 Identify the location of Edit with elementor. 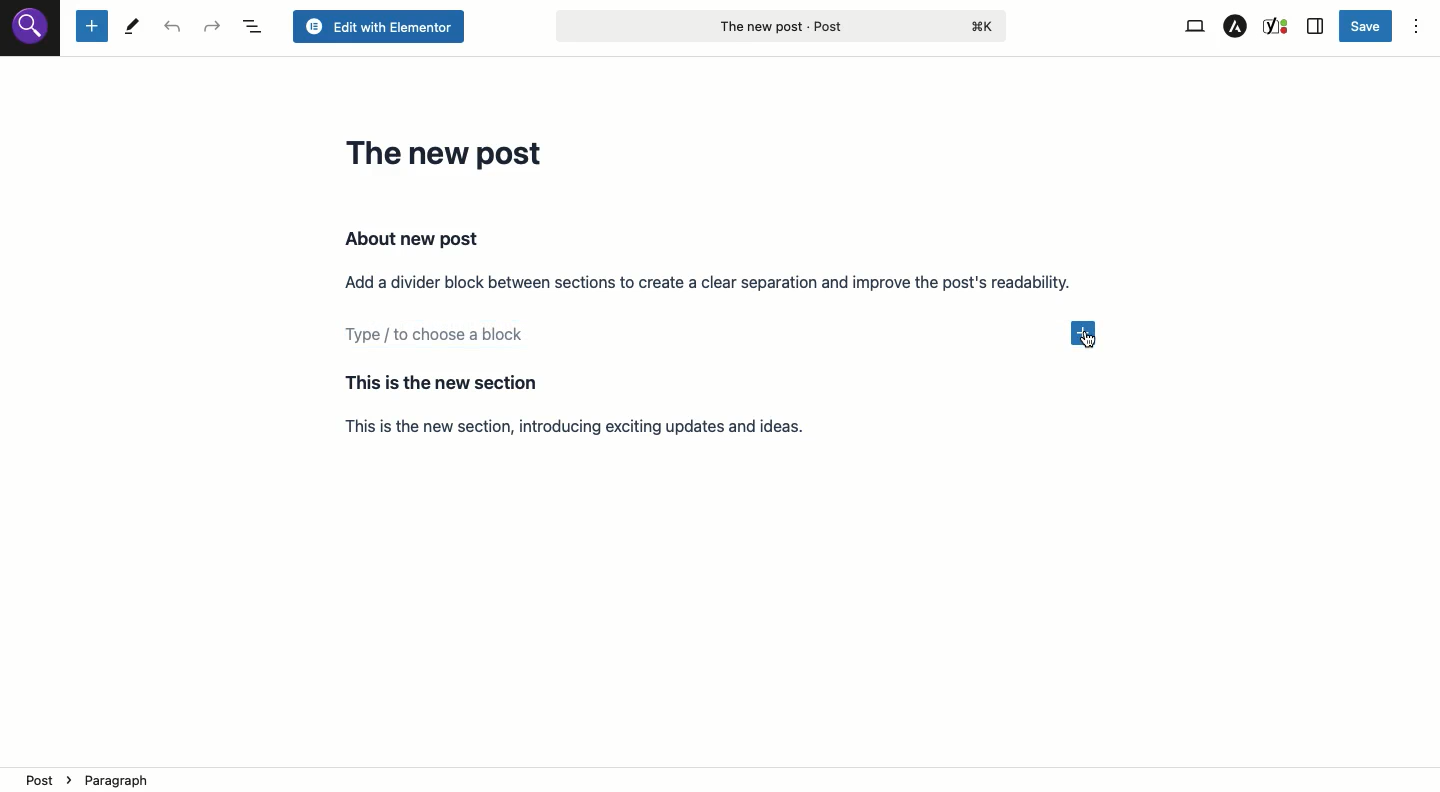
(377, 27).